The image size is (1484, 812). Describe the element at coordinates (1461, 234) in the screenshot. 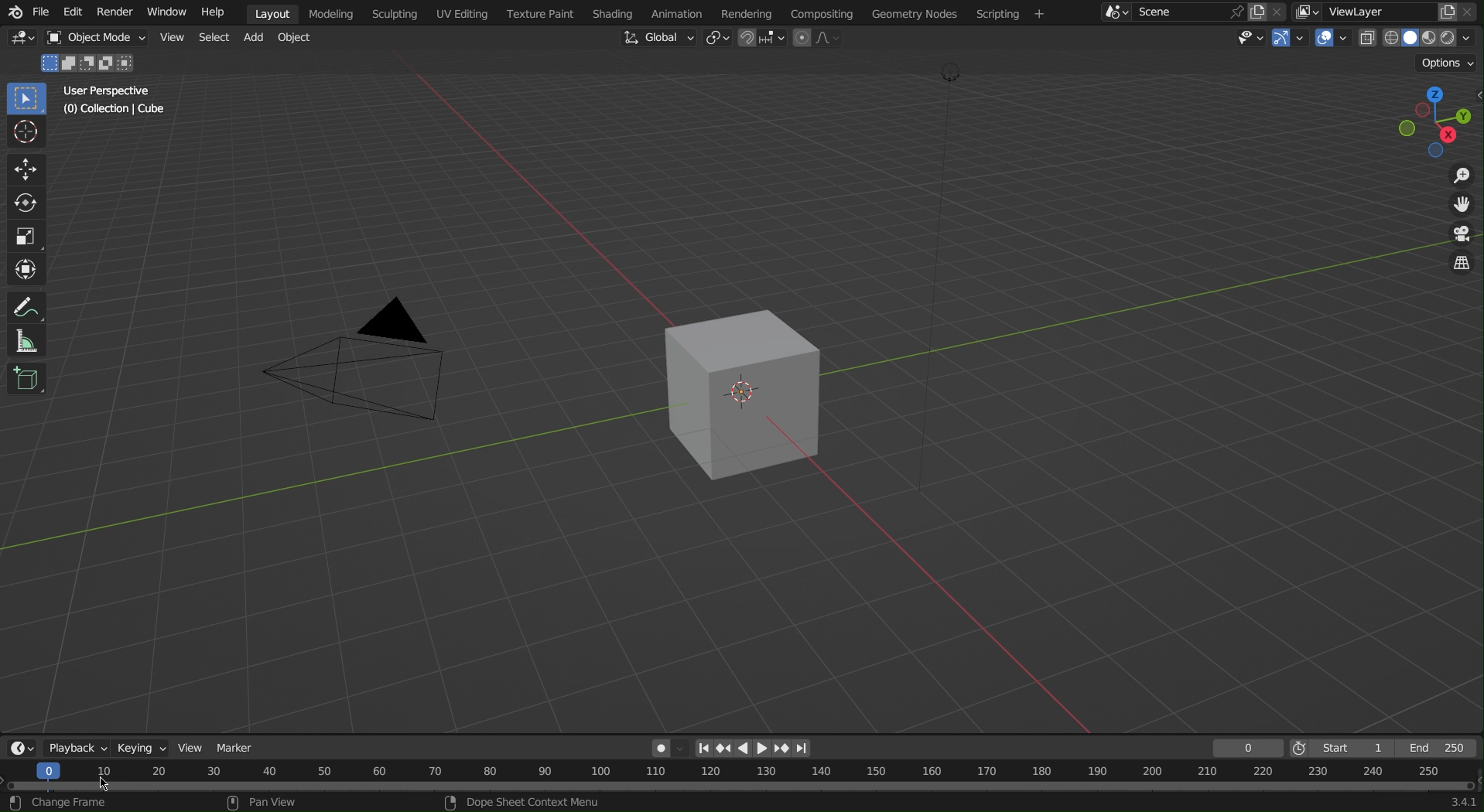

I see `Camera View` at that location.